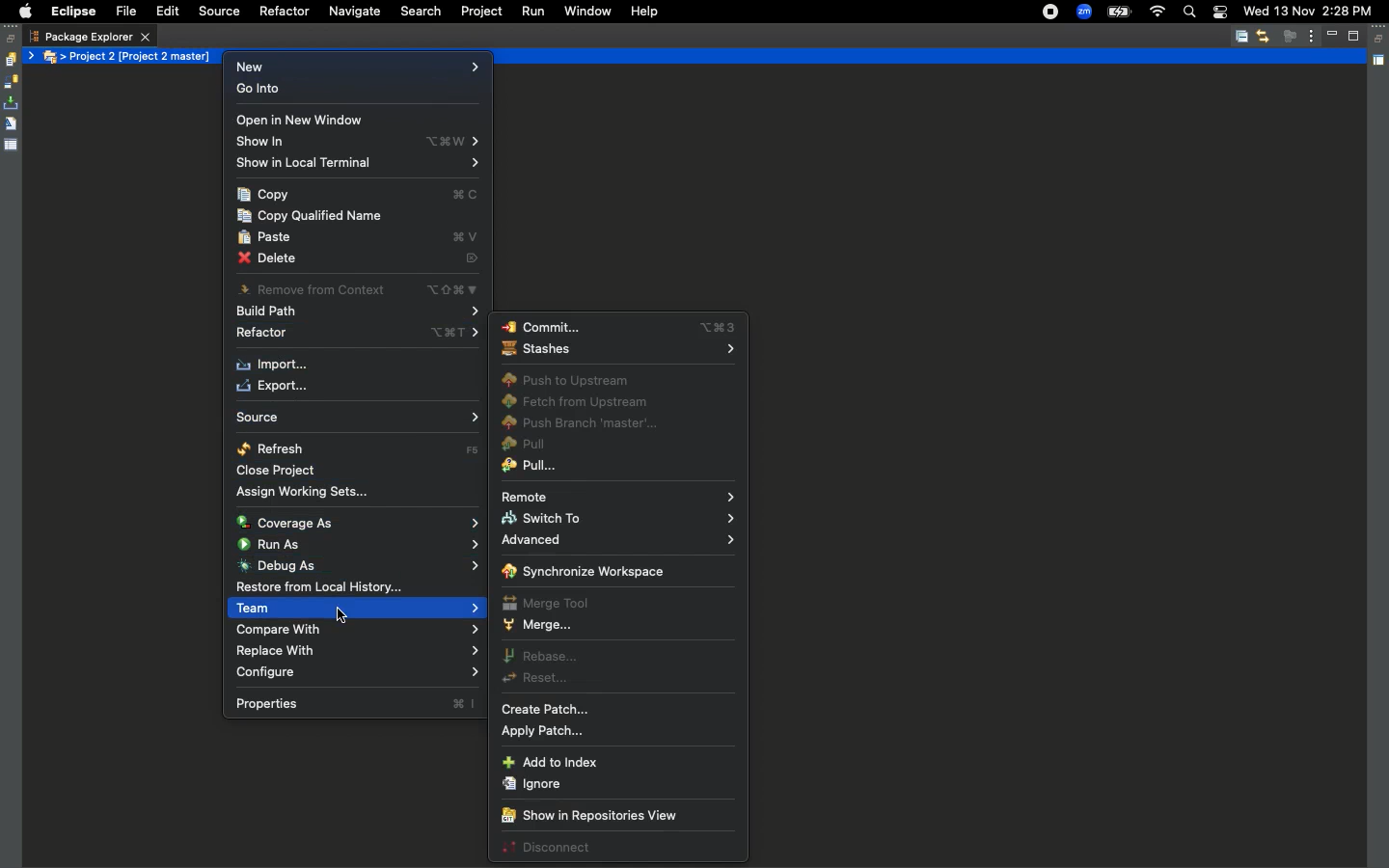 This screenshot has width=1389, height=868. What do you see at coordinates (143, 56) in the screenshot?
I see `Project [Project 2 Master]` at bounding box center [143, 56].